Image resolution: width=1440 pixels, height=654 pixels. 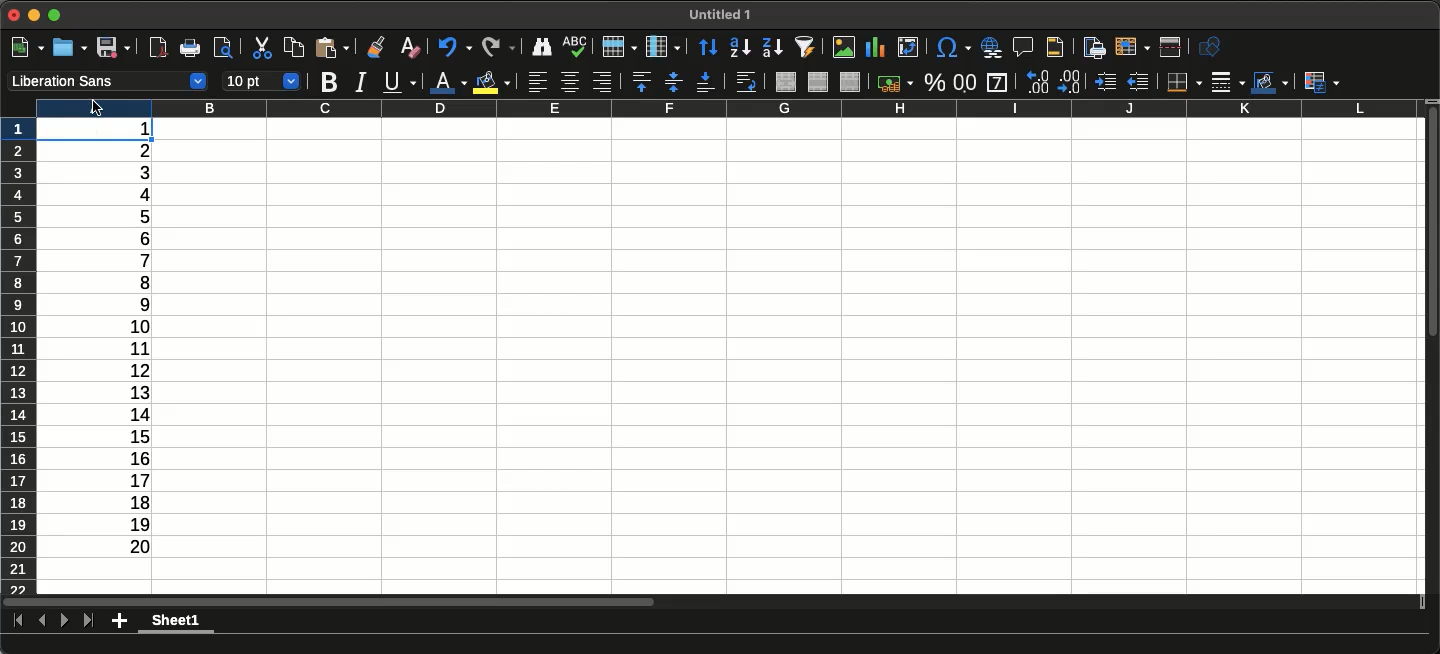 I want to click on Clear direct formatting, so click(x=410, y=48).